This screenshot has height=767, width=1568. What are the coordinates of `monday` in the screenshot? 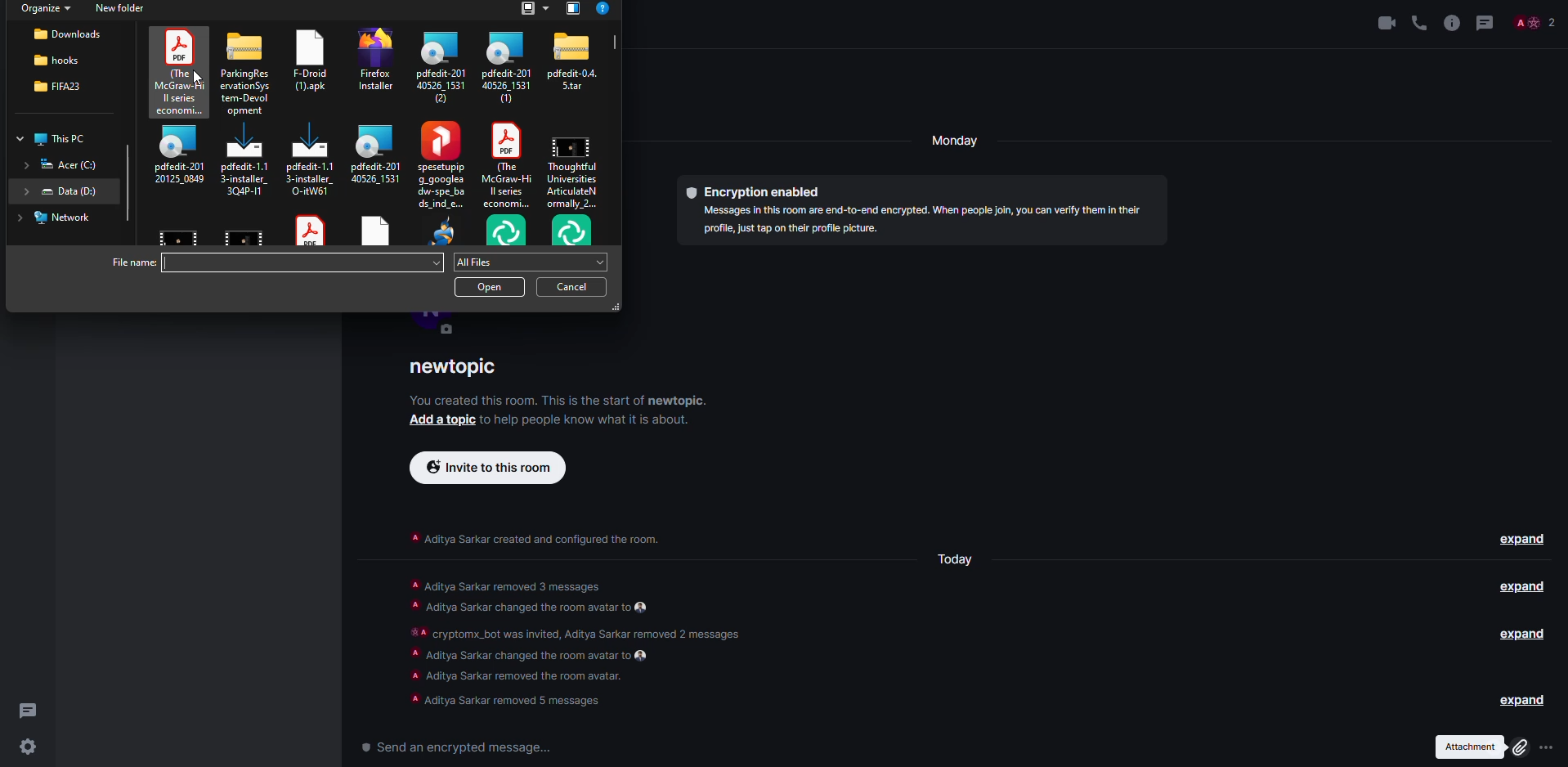 It's located at (951, 137).